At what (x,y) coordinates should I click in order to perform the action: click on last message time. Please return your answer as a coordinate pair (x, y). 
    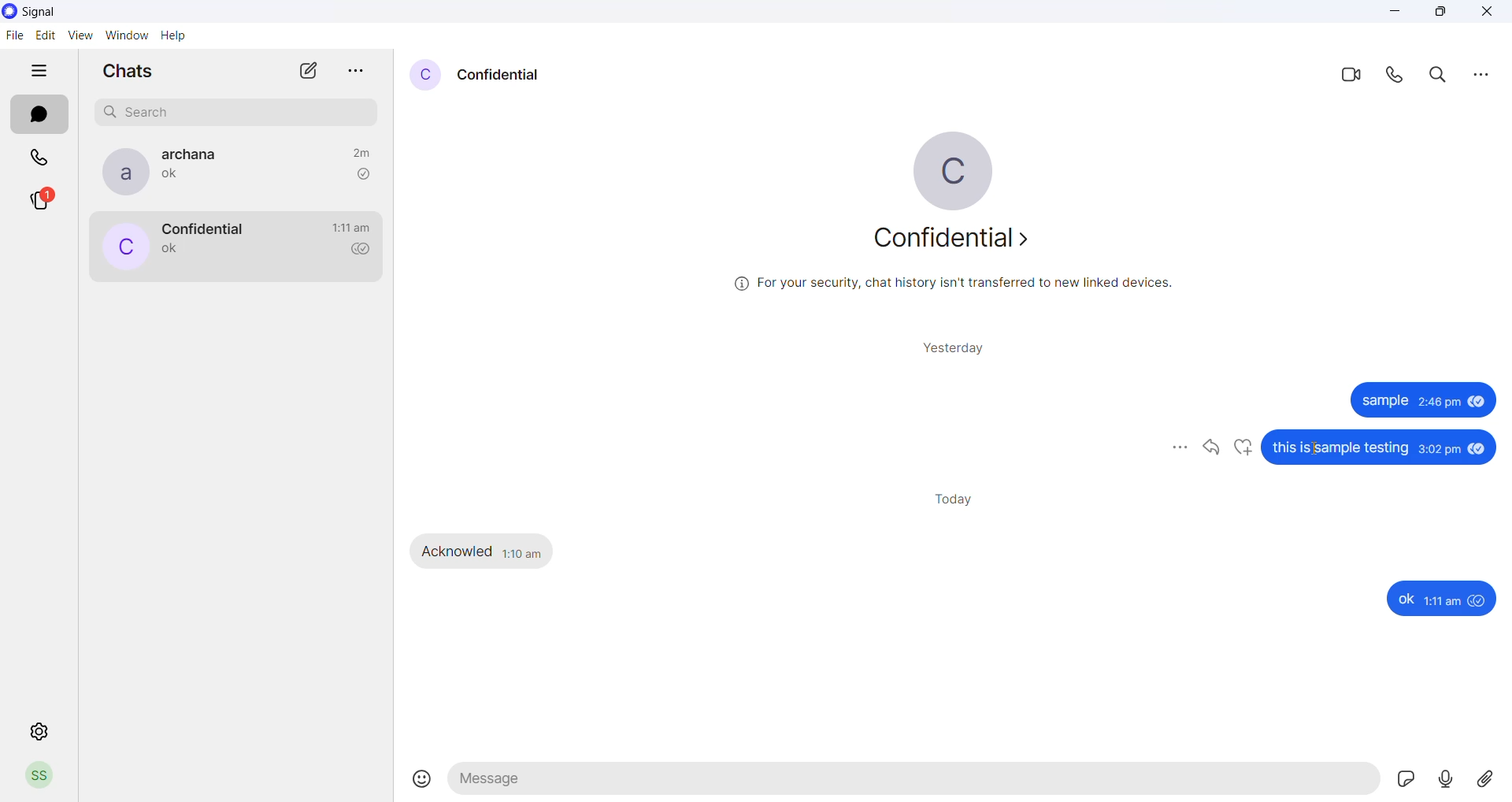
    Looking at the image, I should click on (351, 228).